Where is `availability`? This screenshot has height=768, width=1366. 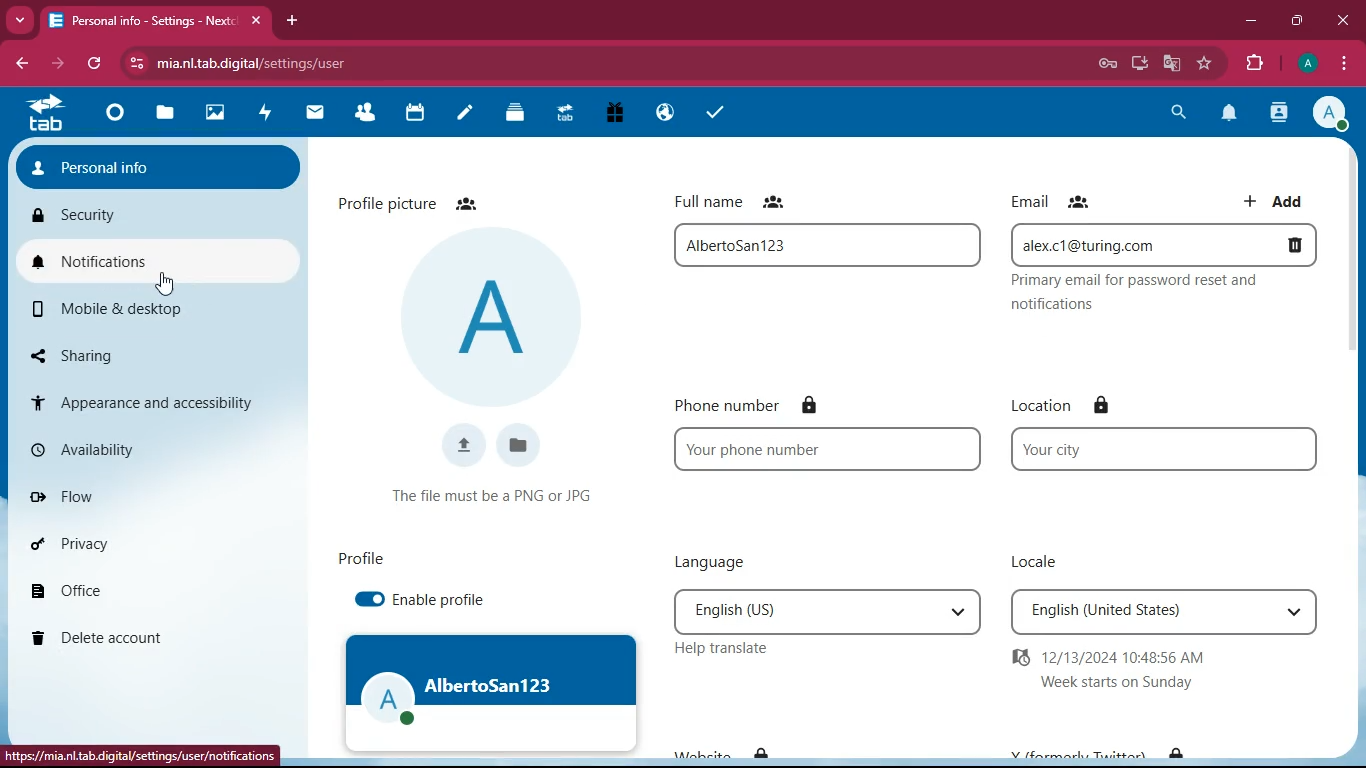 availability is located at coordinates (159, 451).